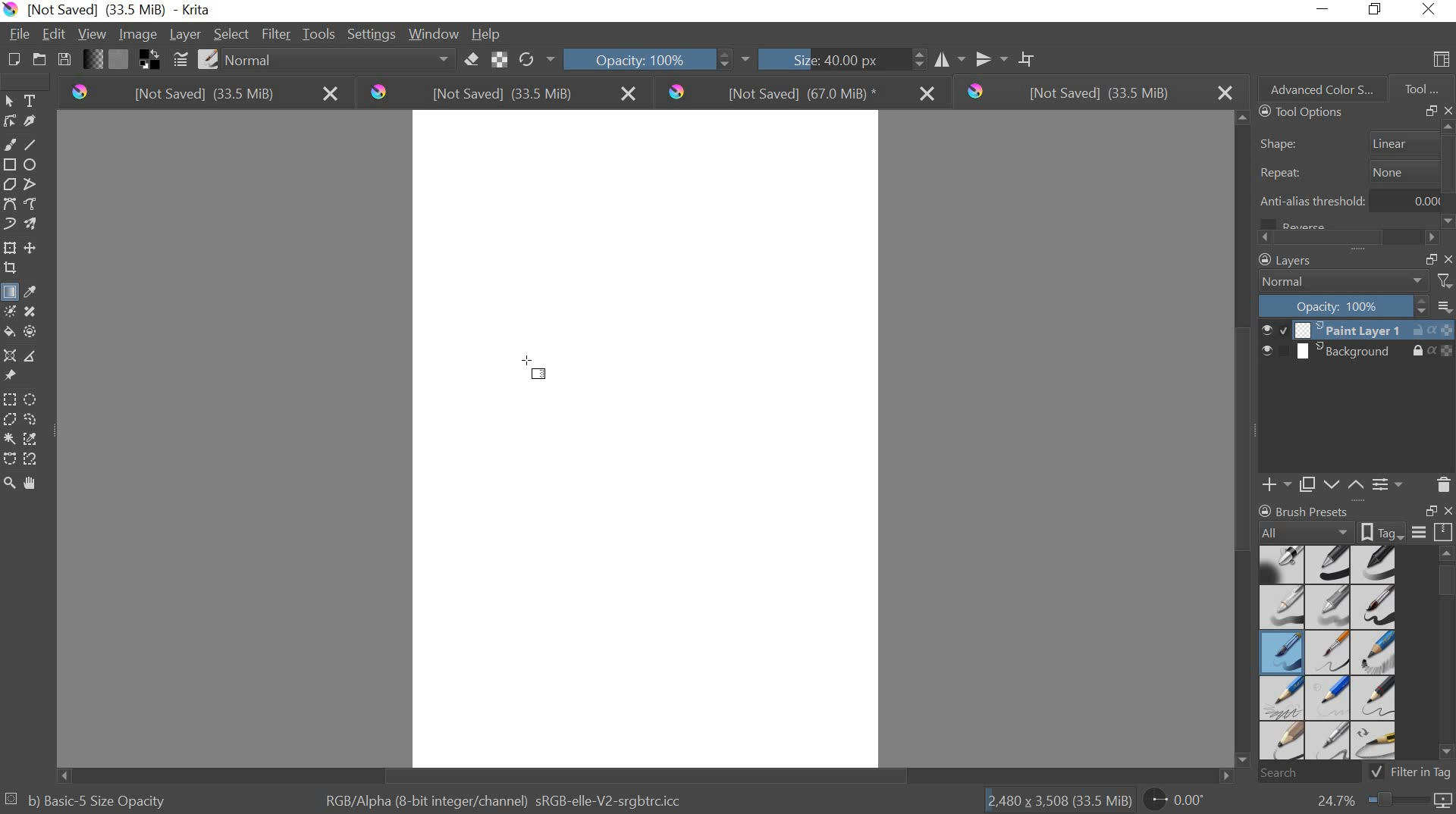 The image size is (1456, 814). Describe the element at coordinates (9, 145) in the screenshot. I see `freehand` at that location.